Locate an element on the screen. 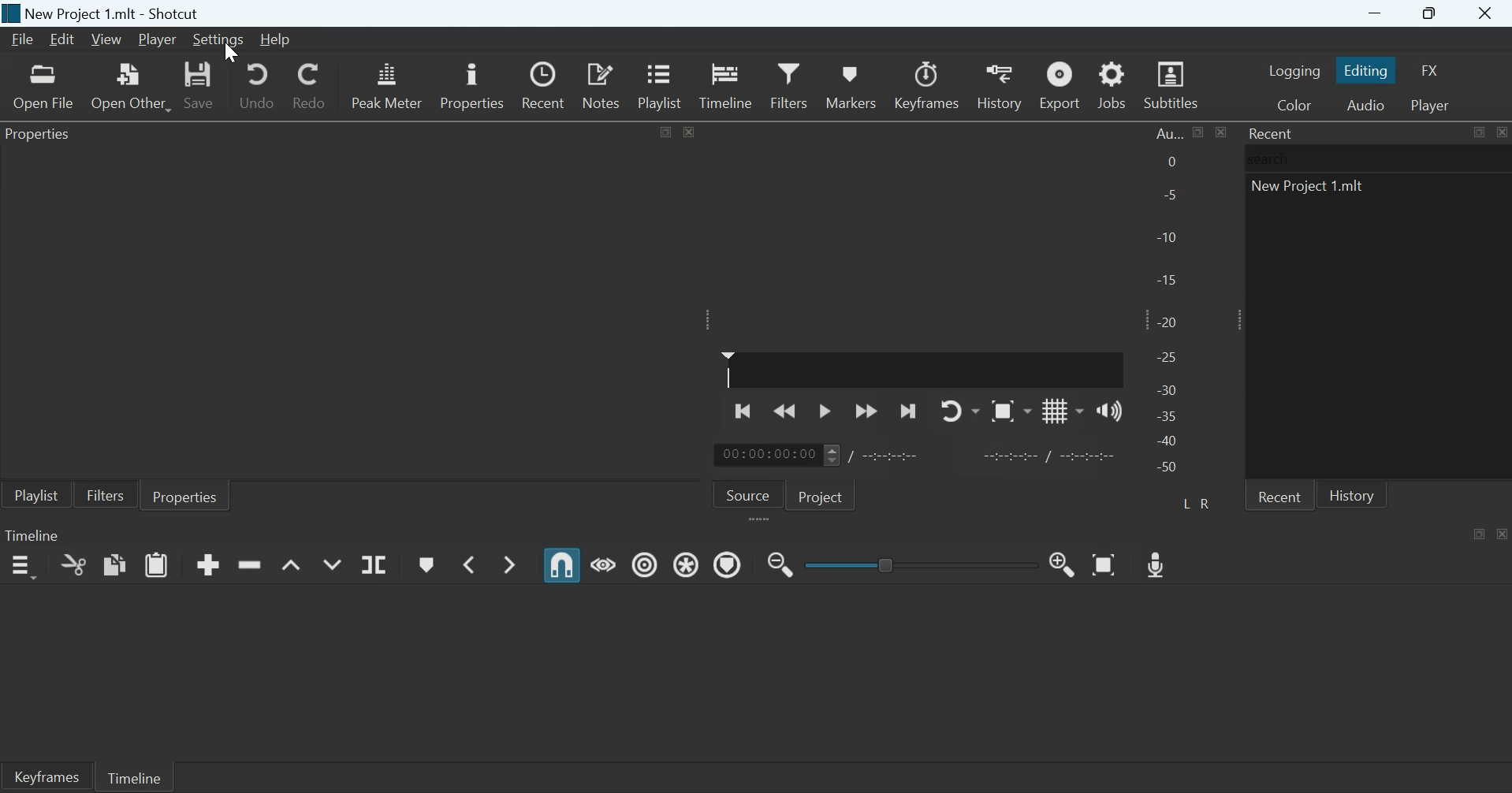 Image resolution: width=1512 pixels, height=793 pixels. View is located at coordinates (105, 40).